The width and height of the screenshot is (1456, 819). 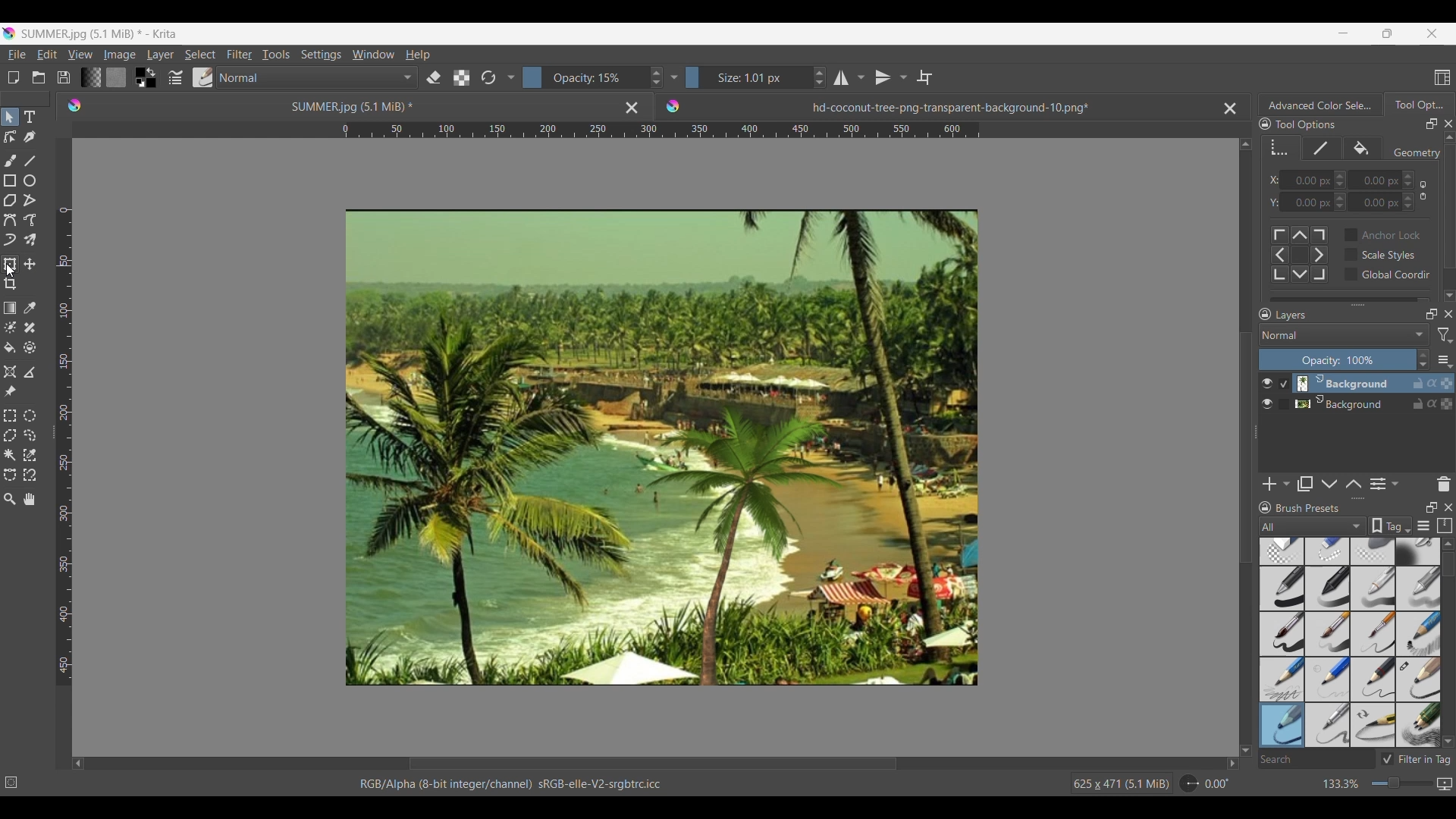 What do you see at coordinates (1281, 148) in the screenshot?
I see `Geometry` at bounding box center [1281, 148].